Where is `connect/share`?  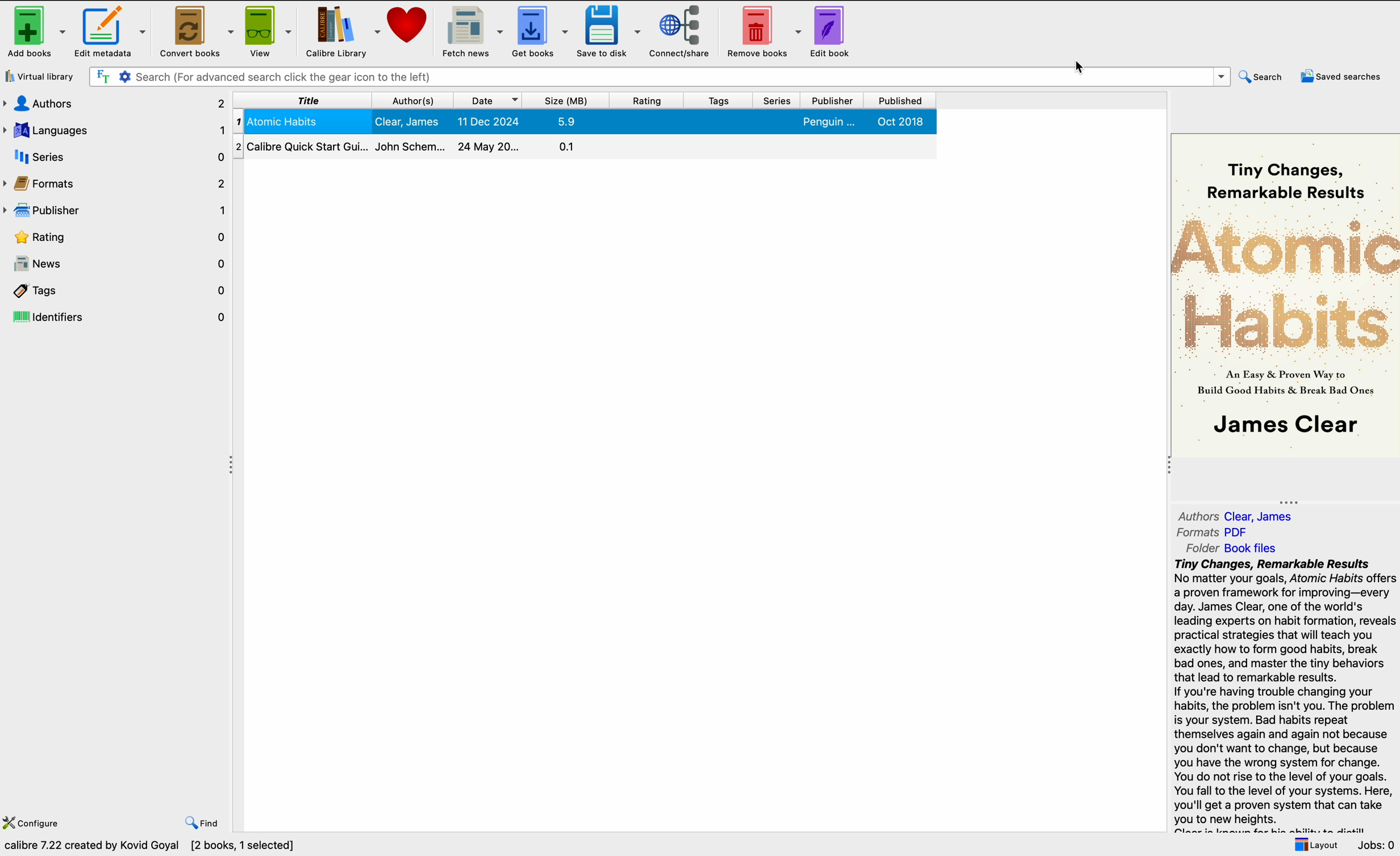 connect/share is located at coordinates (680, 32).